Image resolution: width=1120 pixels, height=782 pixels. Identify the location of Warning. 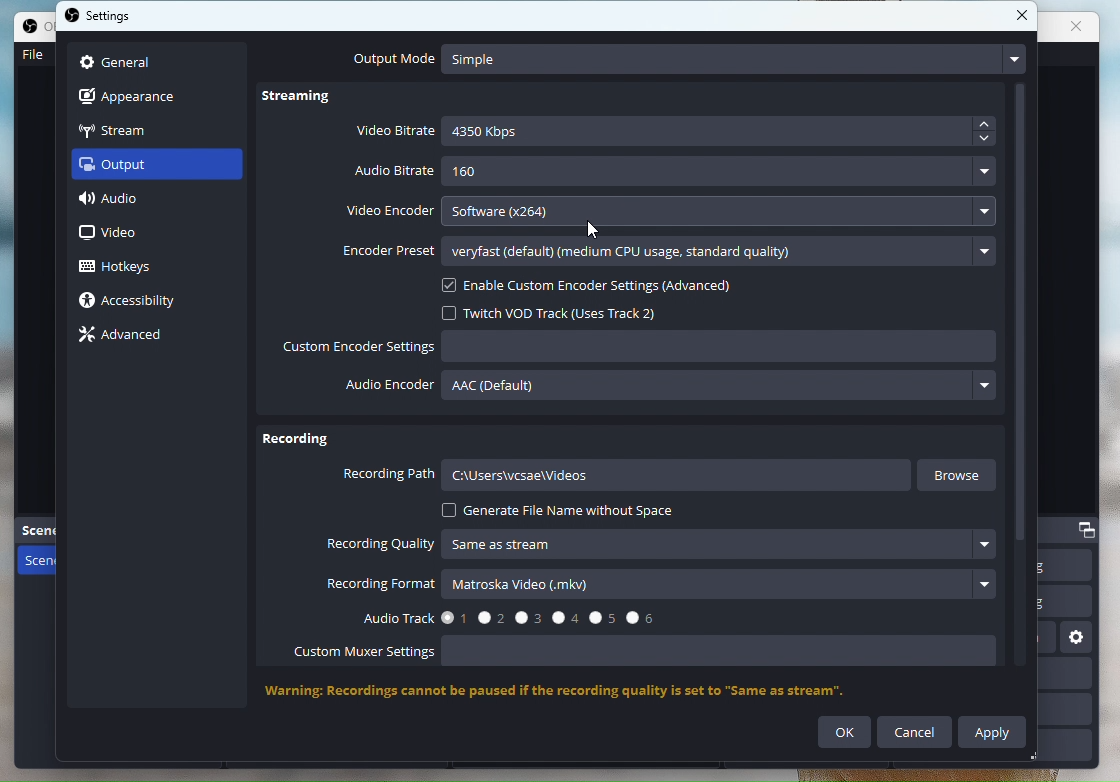
(576, 692).